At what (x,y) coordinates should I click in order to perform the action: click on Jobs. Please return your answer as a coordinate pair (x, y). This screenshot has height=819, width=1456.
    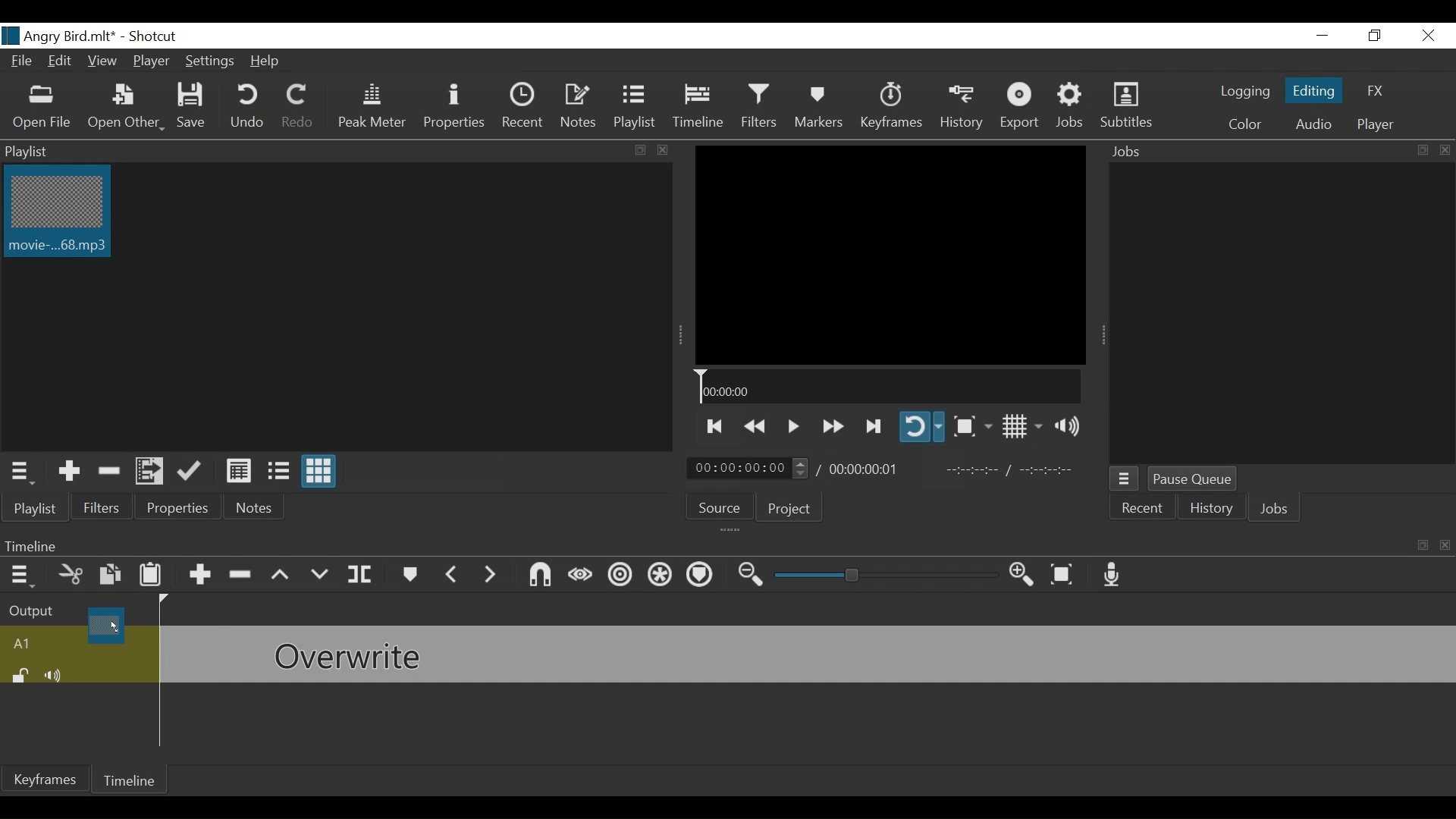
    Looking at the image, I should click on (1254, 152).